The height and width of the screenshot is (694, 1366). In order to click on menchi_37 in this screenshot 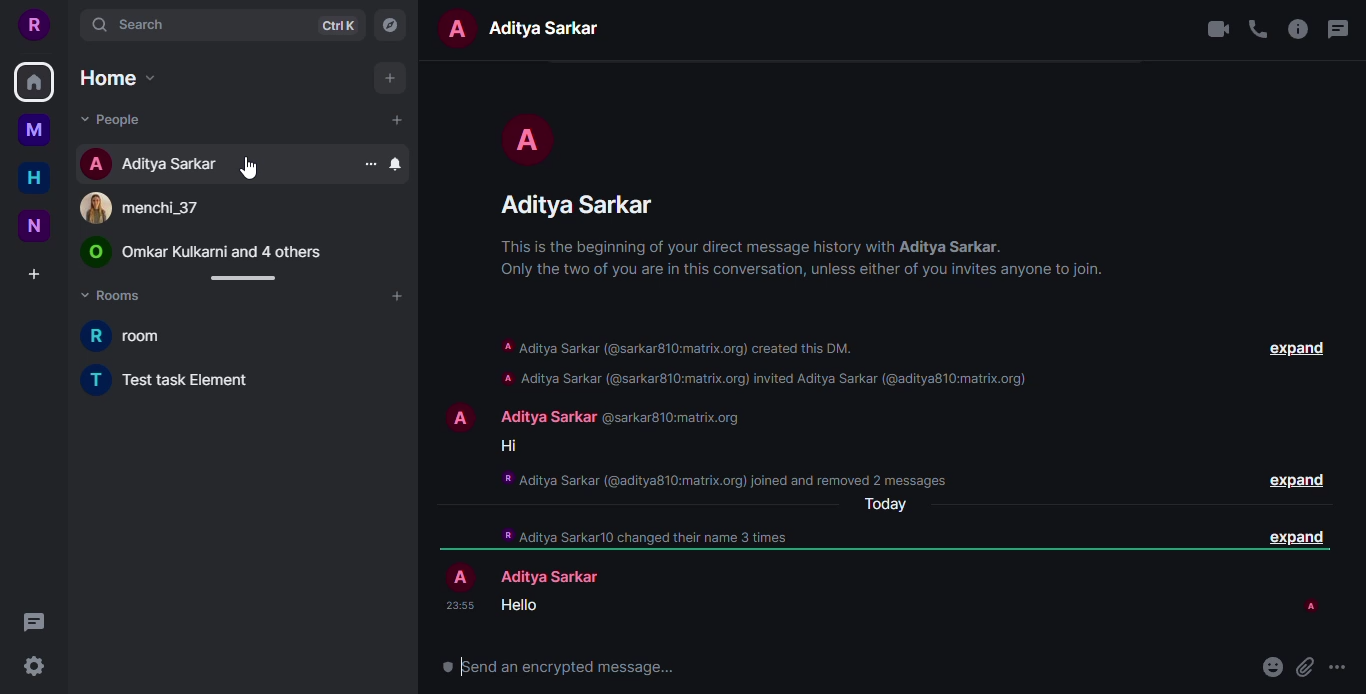, I will do `click(137, 209)`.